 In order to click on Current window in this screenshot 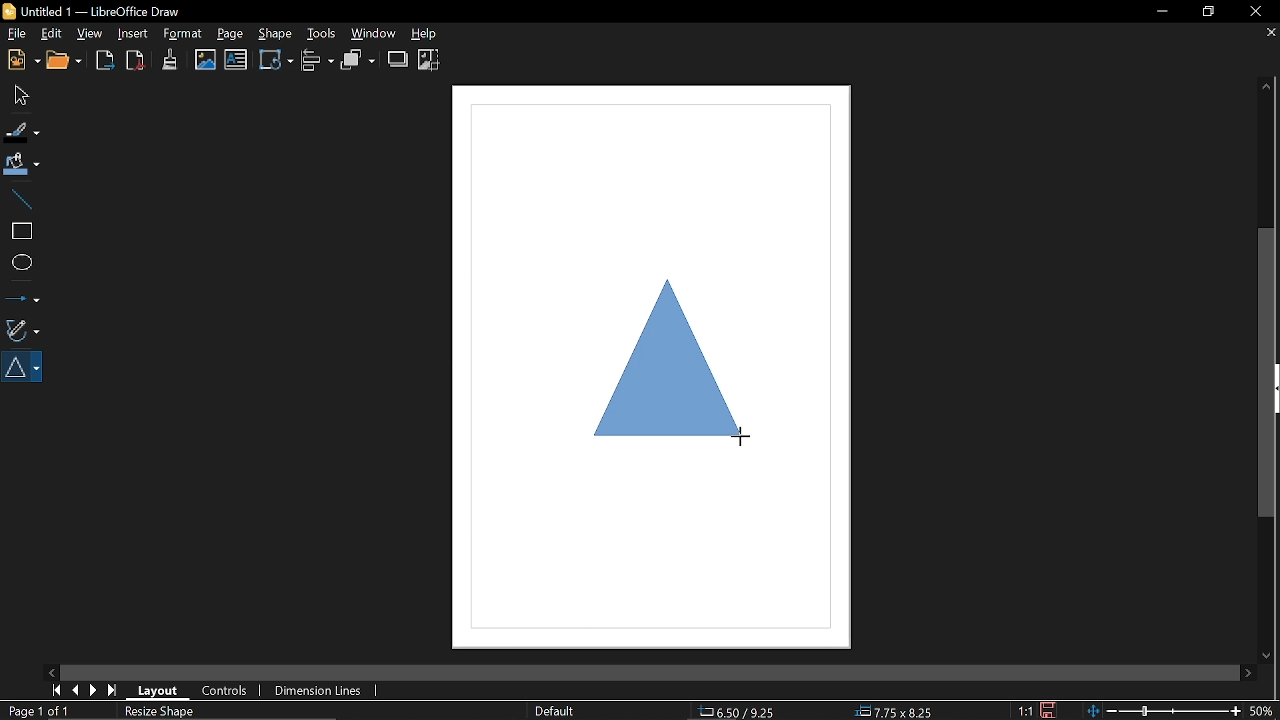, I will do `click(100, 10)`.